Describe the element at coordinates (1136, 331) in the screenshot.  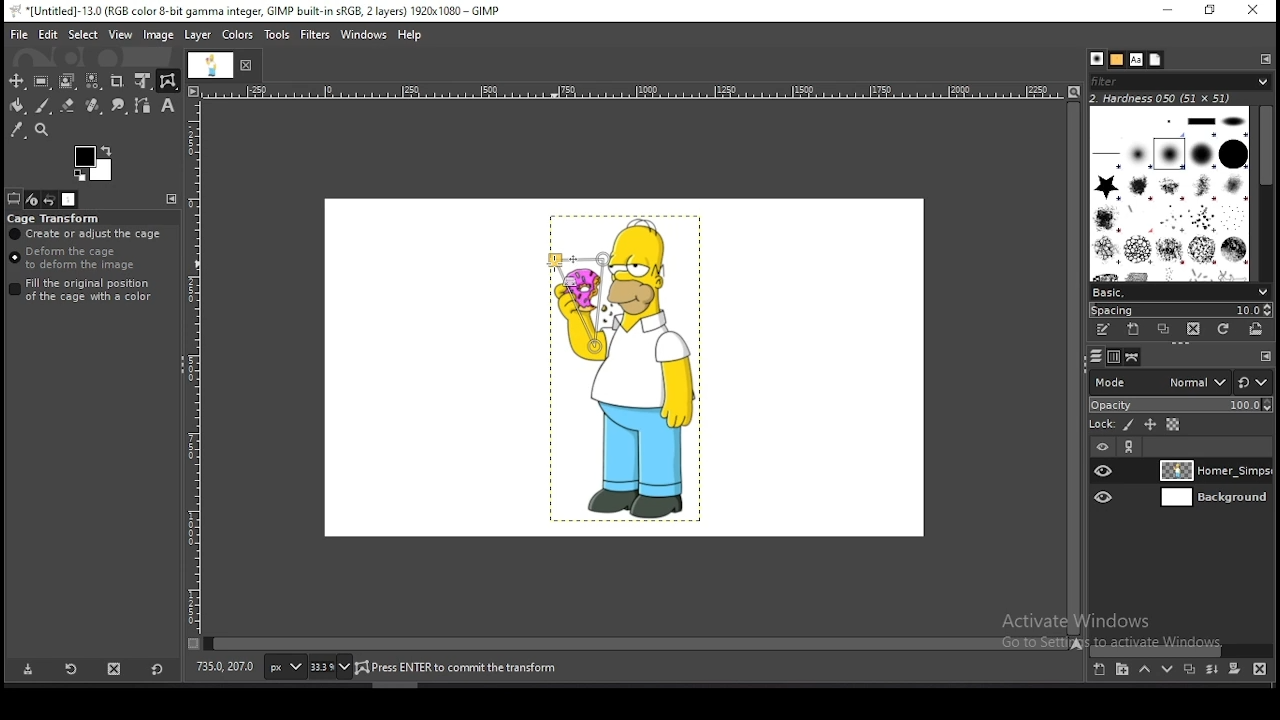
I see `create a new brush` at that location.